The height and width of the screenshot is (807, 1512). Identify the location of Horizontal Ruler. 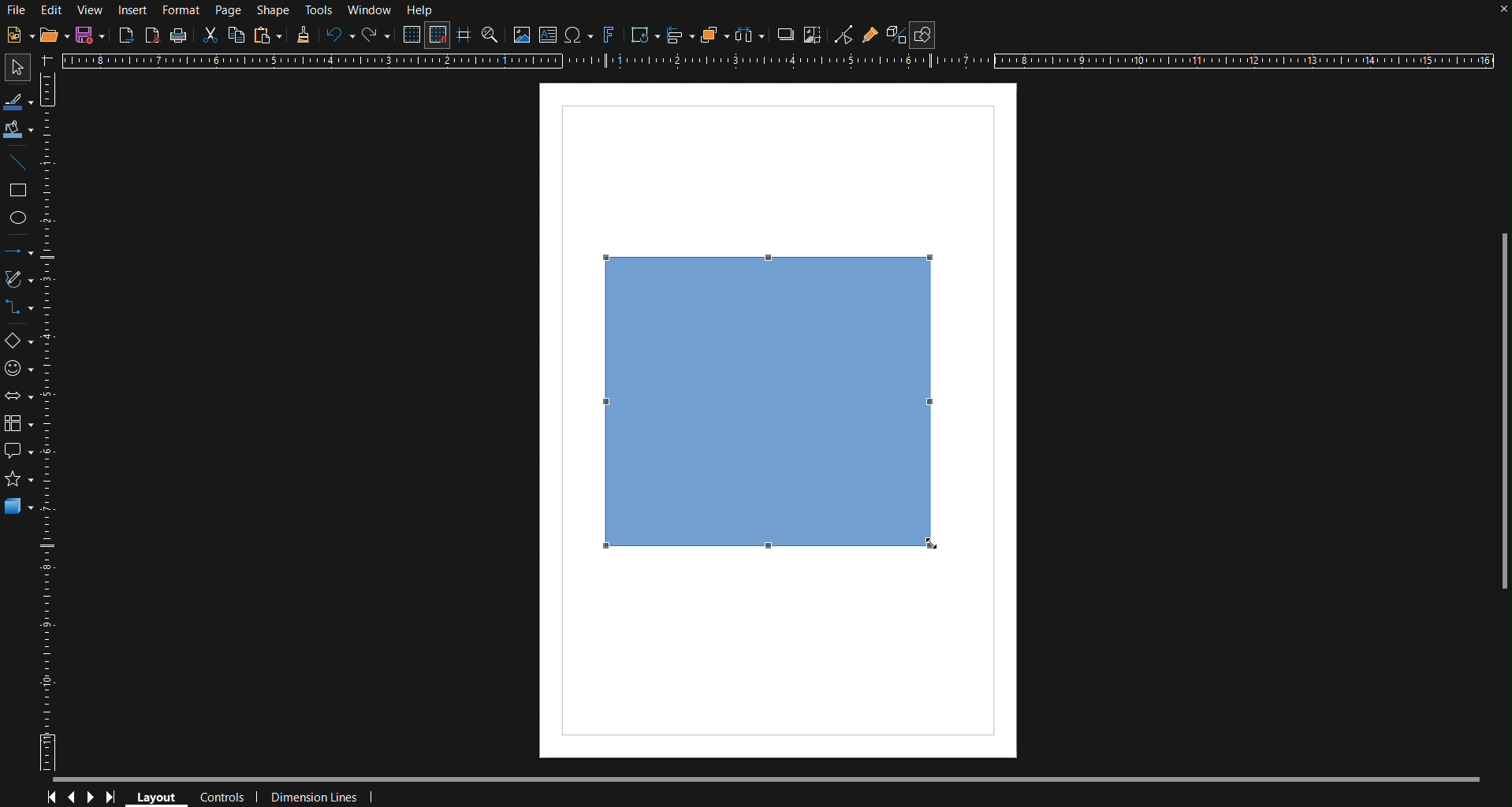
(776, 59).